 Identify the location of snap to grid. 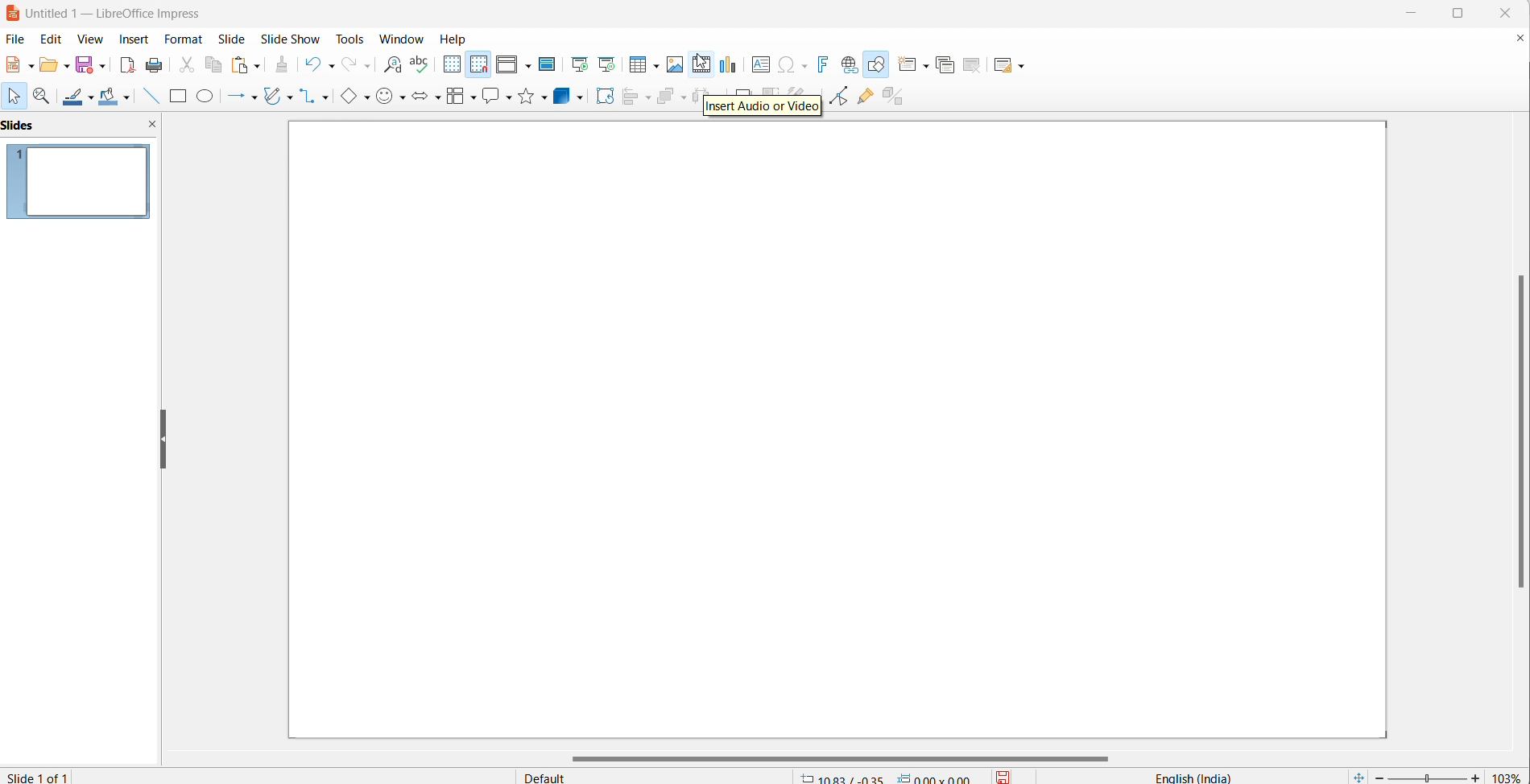
(480, 65).